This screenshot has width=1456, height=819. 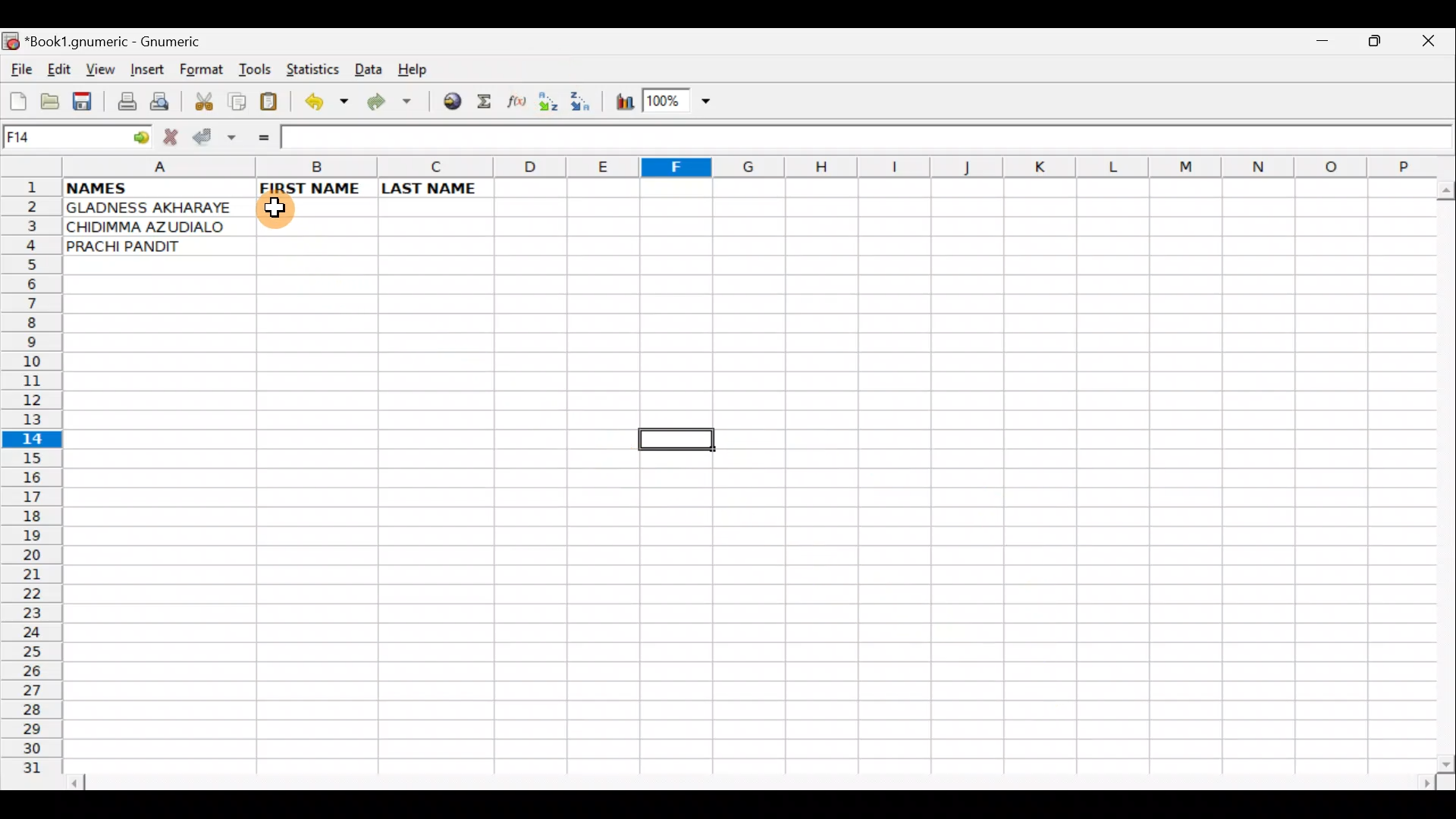 I want to click on Minimize, so click(x=1319, y=47).